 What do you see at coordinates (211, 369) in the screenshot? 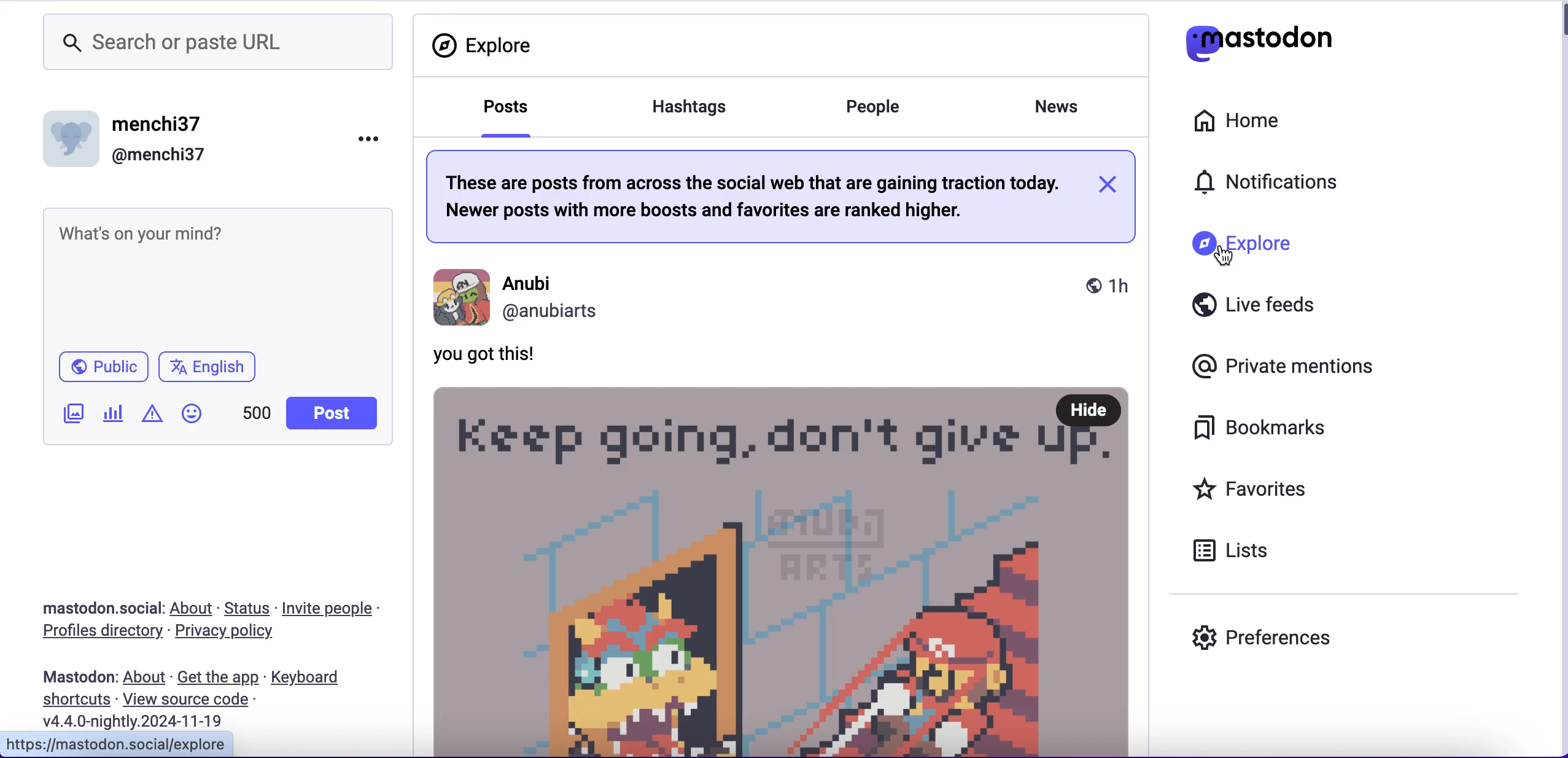
I see `english` at bounding box center [211, 369].